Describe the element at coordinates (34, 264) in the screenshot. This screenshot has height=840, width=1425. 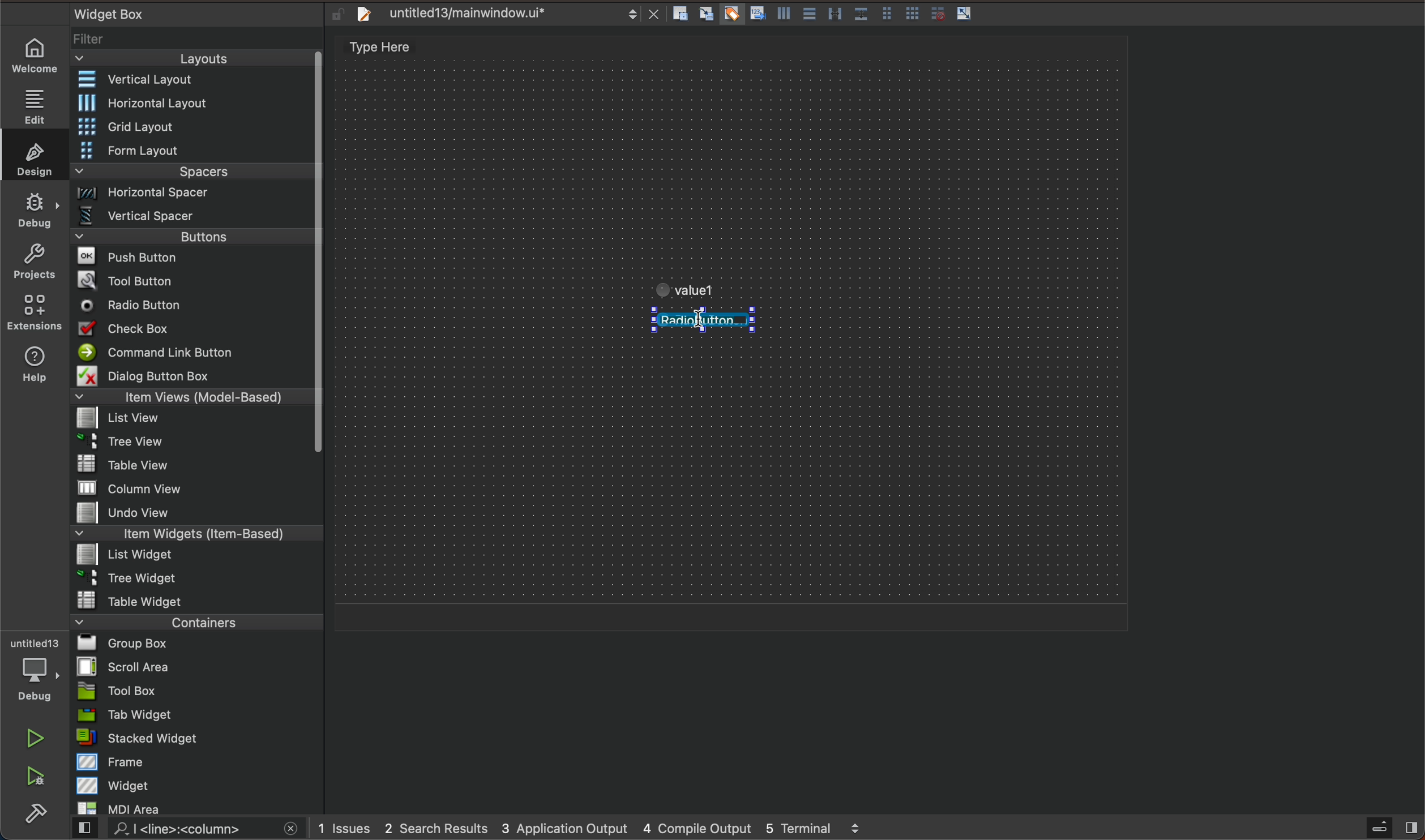
I see `projects` at that location.